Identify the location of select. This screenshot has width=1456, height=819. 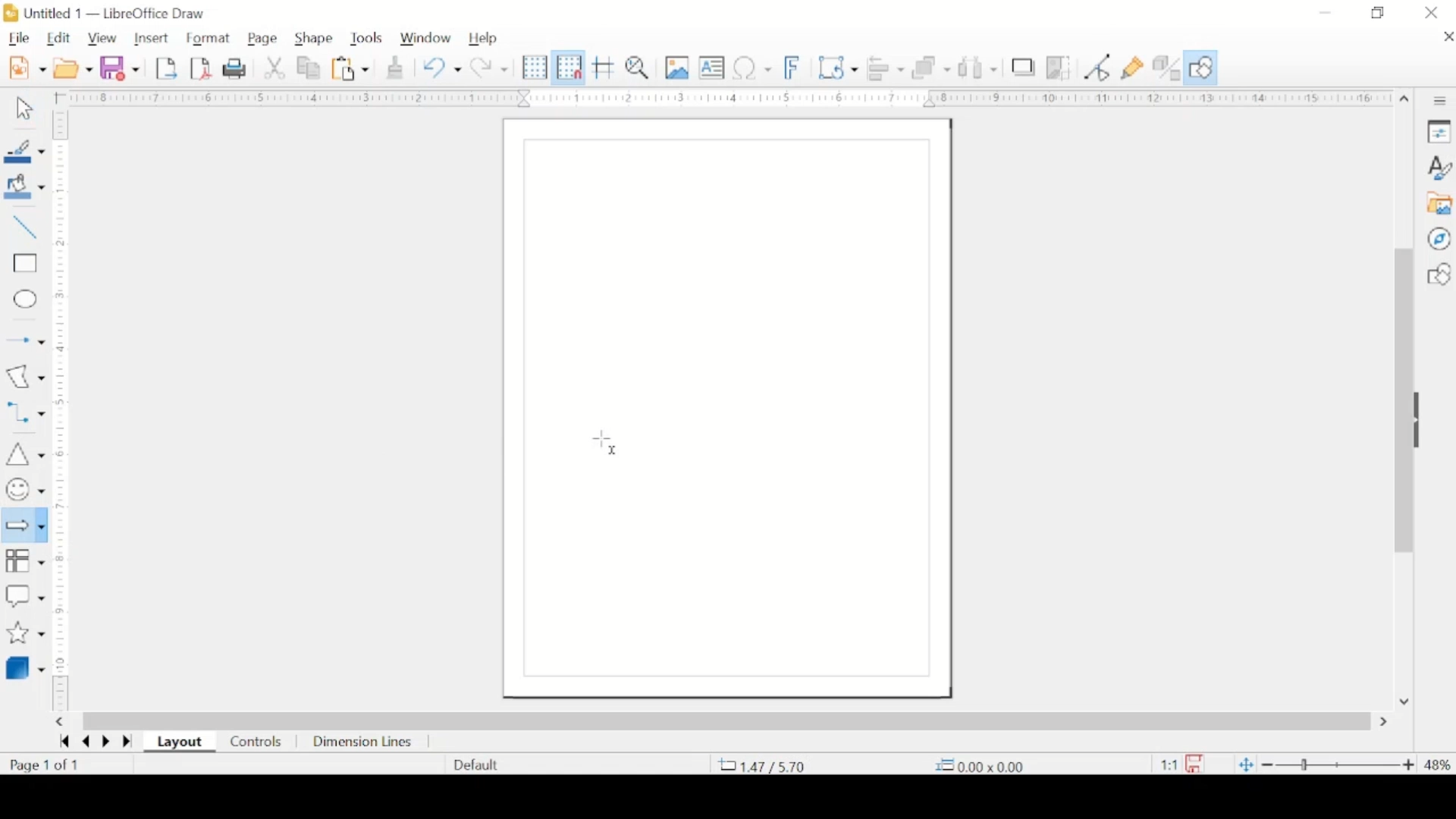
(24, 108).